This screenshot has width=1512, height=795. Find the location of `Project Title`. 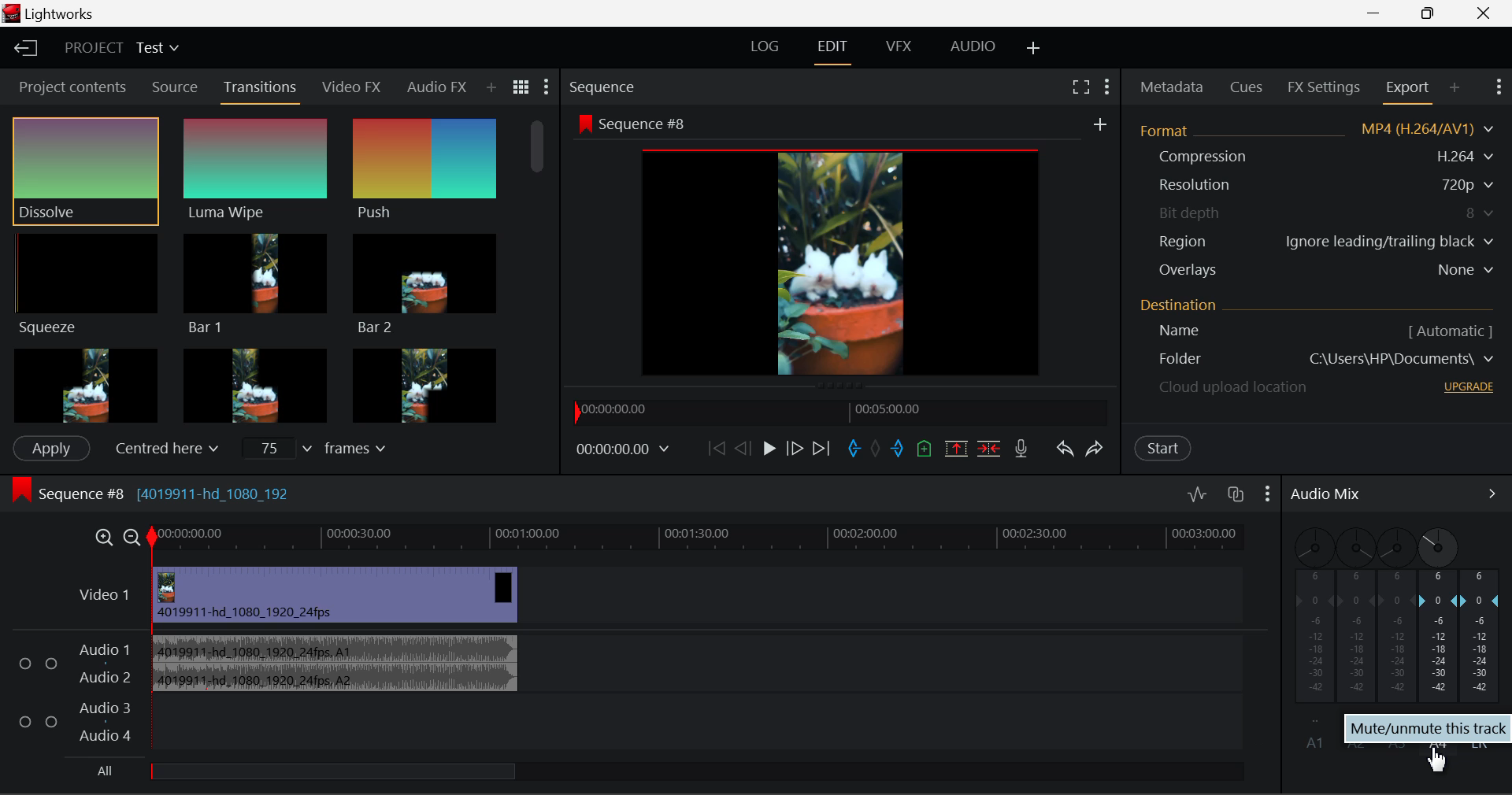

Project Title is located at coordinates (120, 46).